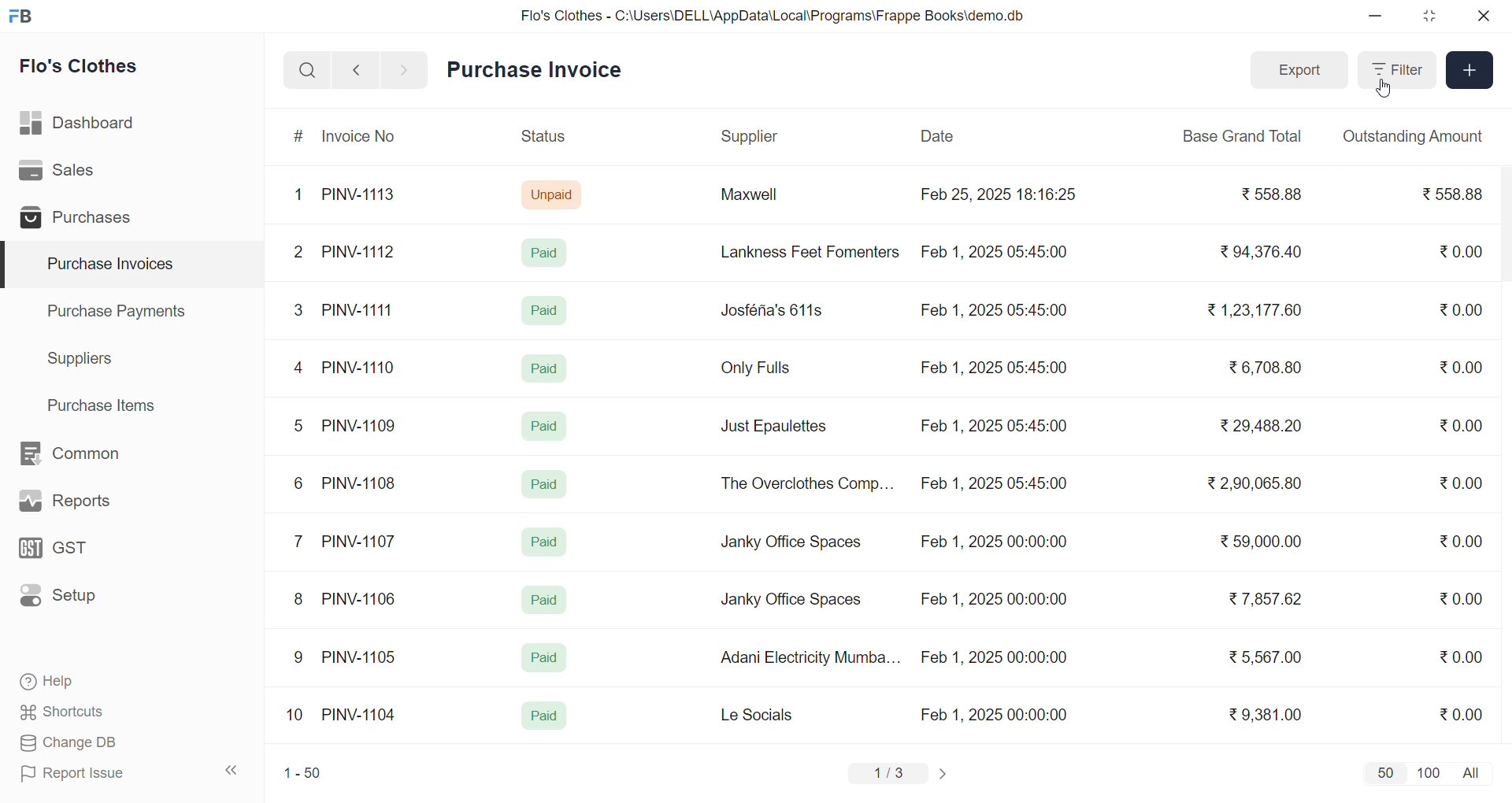 This screenshot has width=1512, height=803. What do you see at coordinates (998, 250) in the screenshot?
I see `Feb 1, 2025 05:45:00` at bounding box center [998, 250].